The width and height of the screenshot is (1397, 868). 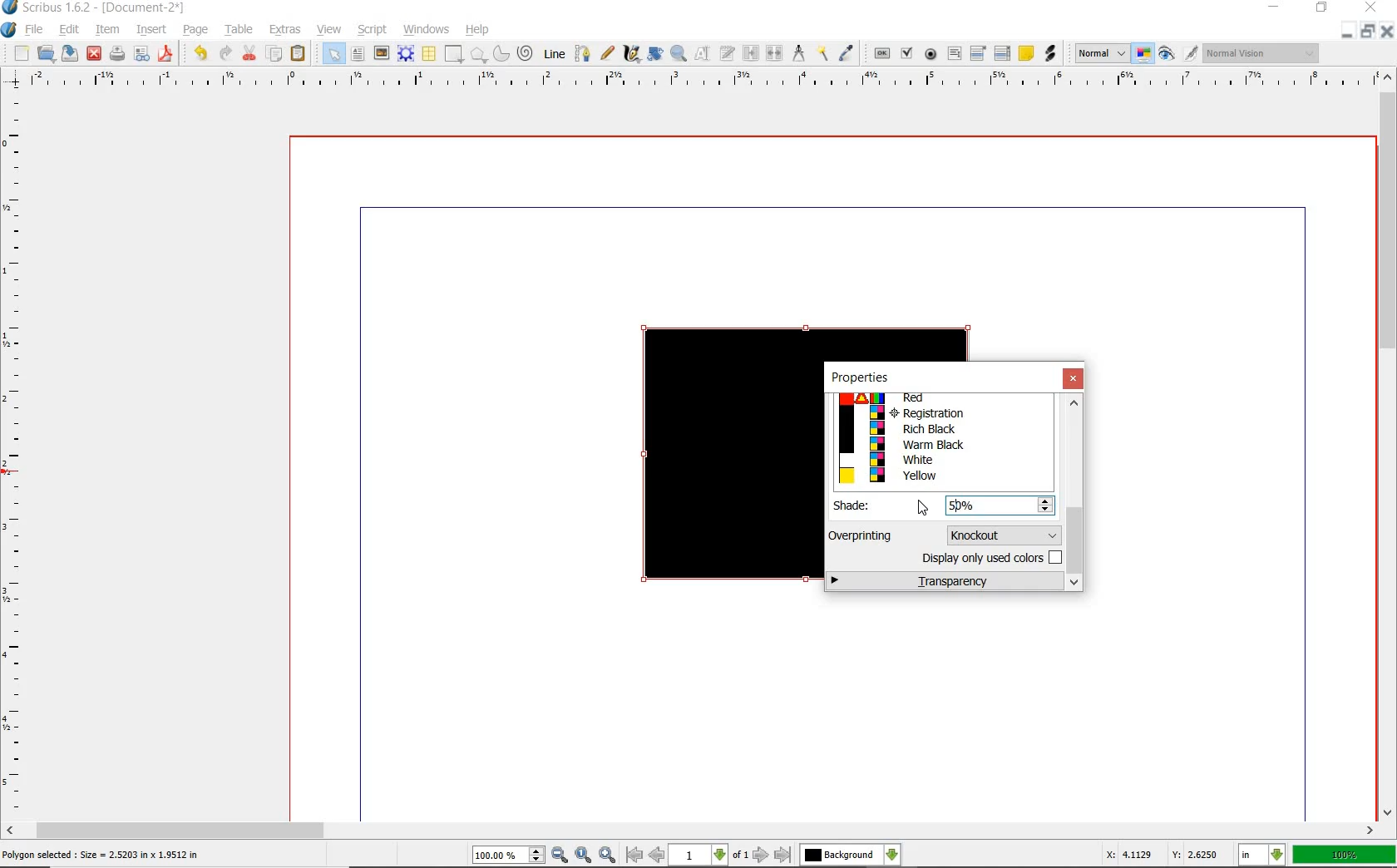 I want to click on table, so click(x=239, y=31).